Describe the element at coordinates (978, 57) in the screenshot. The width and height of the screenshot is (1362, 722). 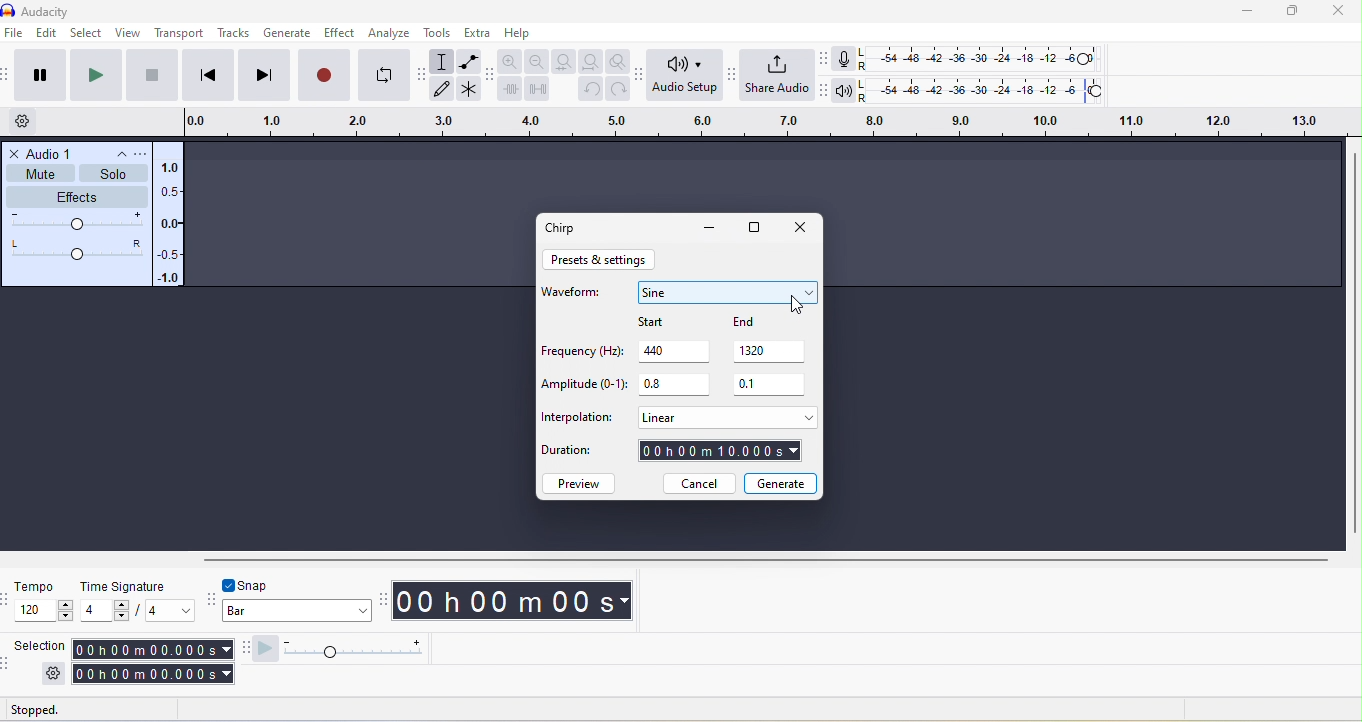
I see `recording level` at that location.